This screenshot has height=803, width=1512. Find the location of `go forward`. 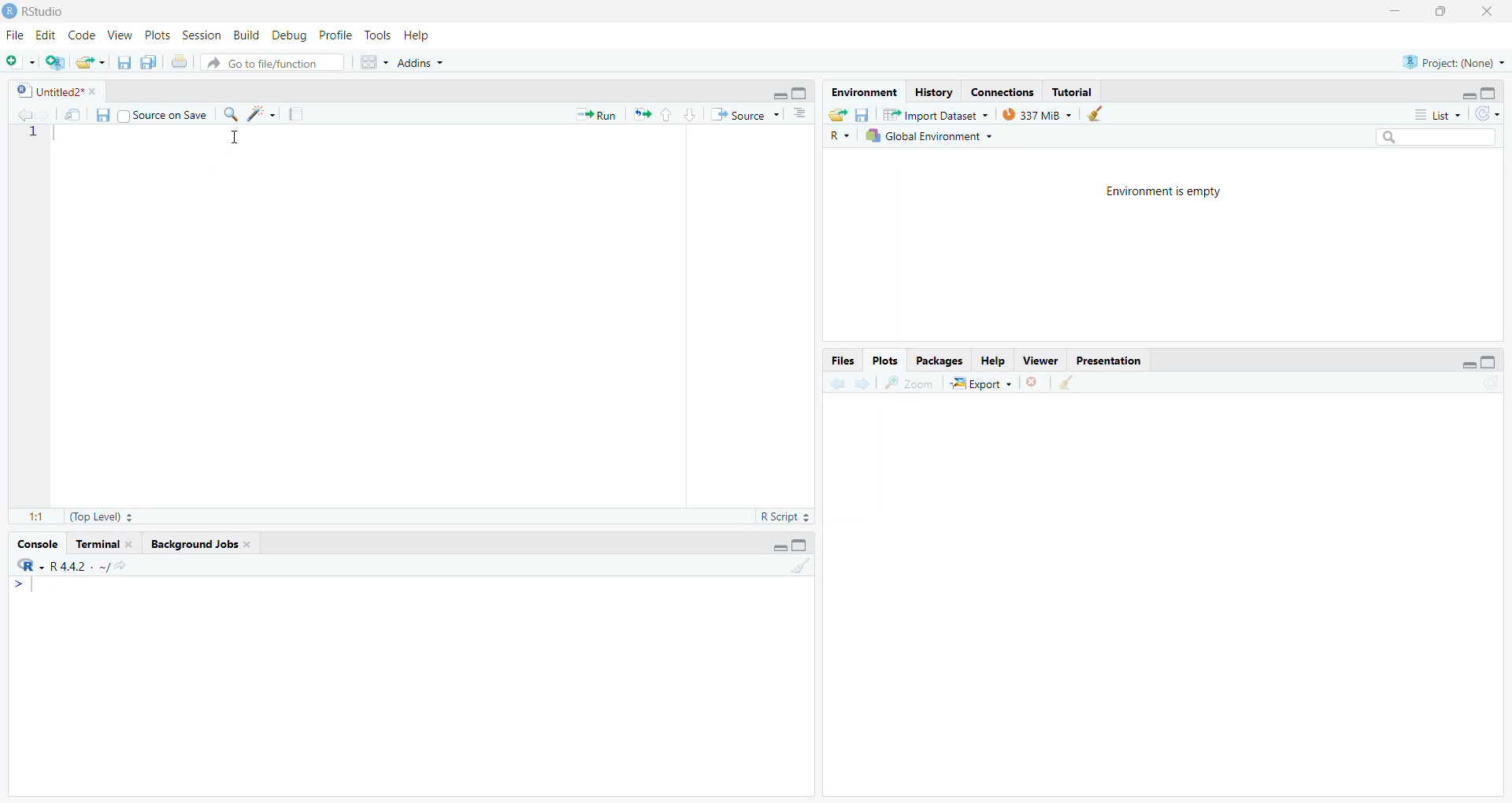

go forward is located at coordinates (864, 384).